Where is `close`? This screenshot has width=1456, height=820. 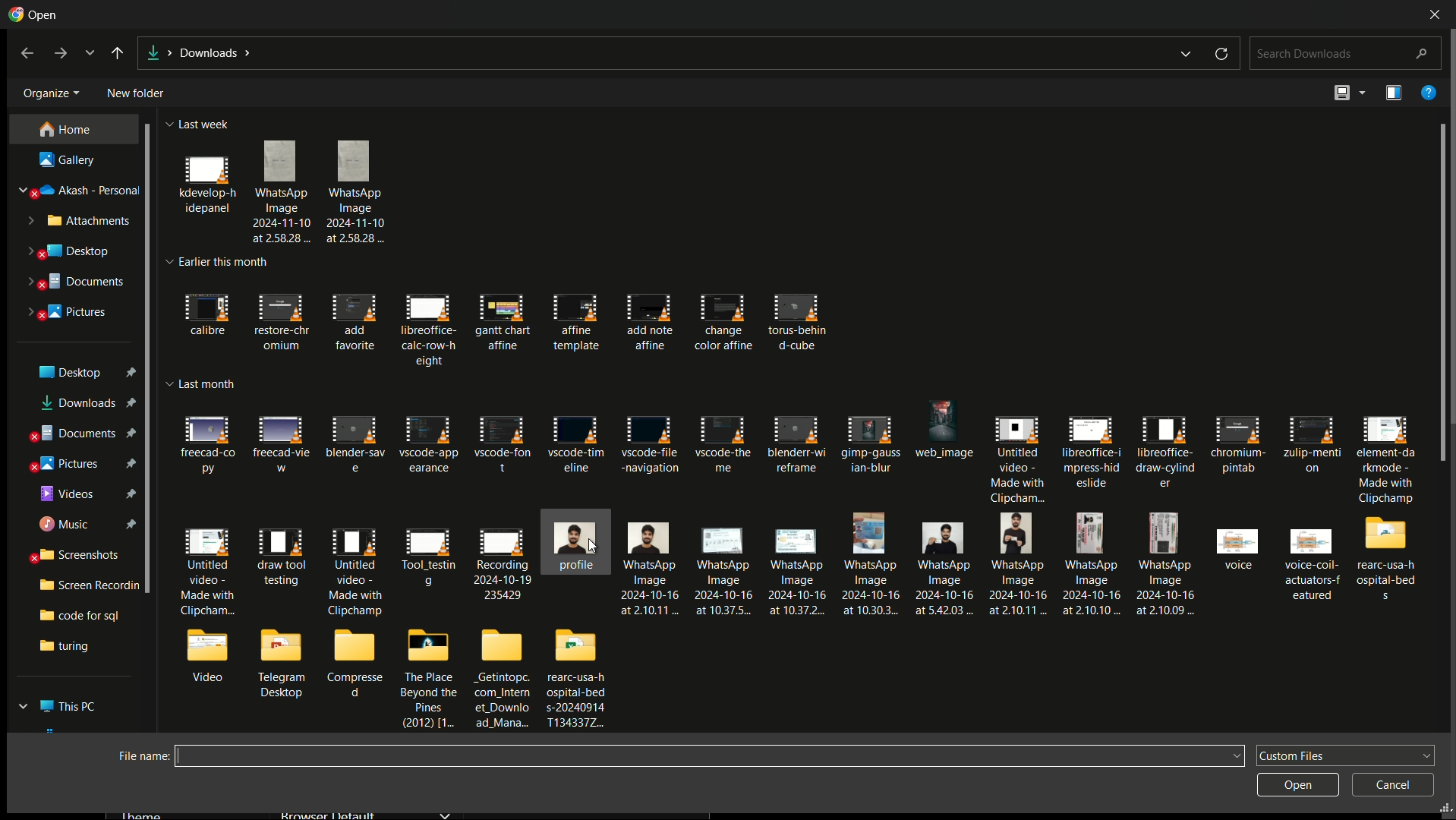 close is located at coordinates (1435, 15).